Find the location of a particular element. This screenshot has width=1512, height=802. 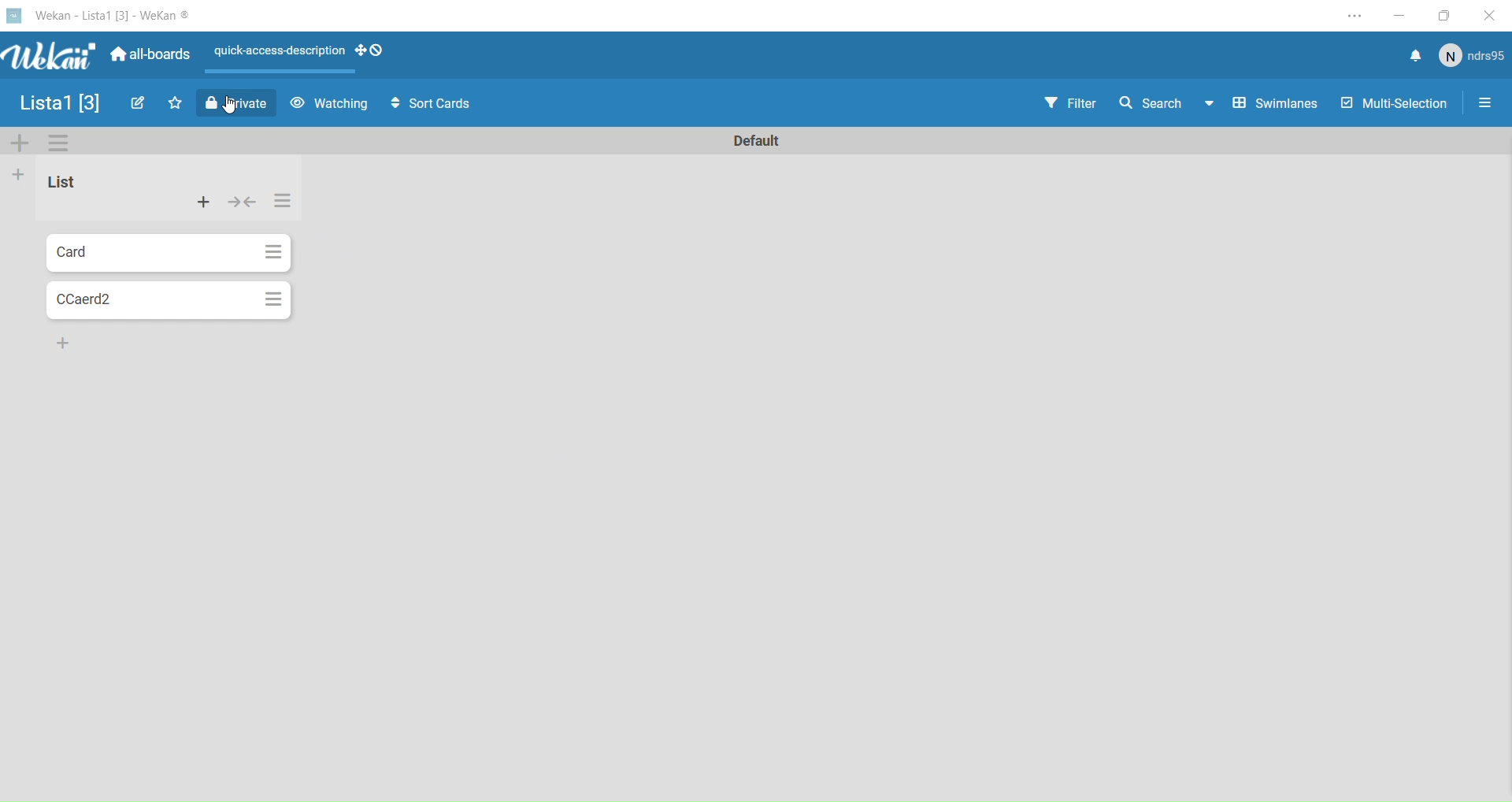

Edit is located at coordinates (135, 104).